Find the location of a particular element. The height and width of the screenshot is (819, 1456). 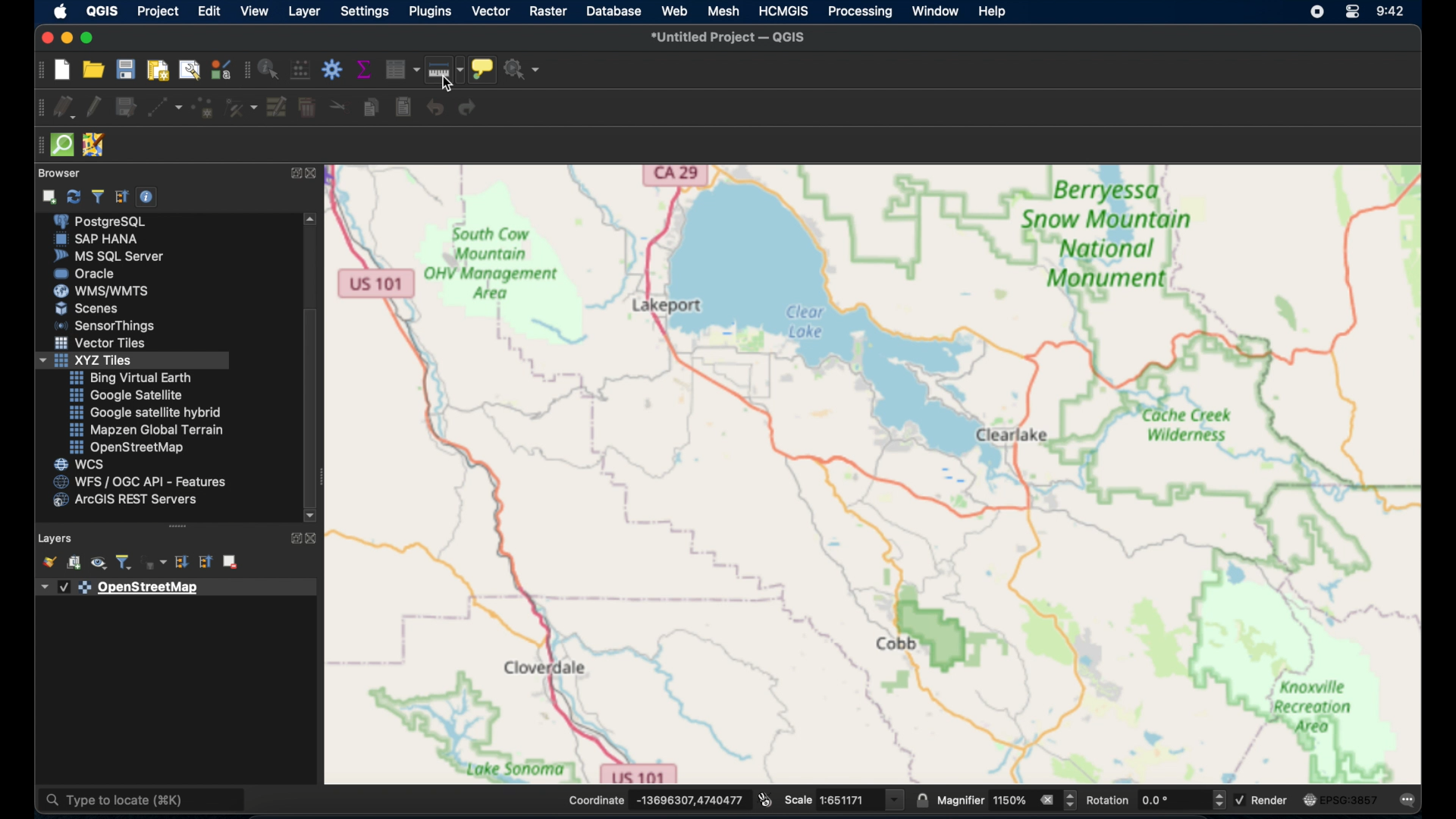

rotation is located at coordinates (1156, 799).